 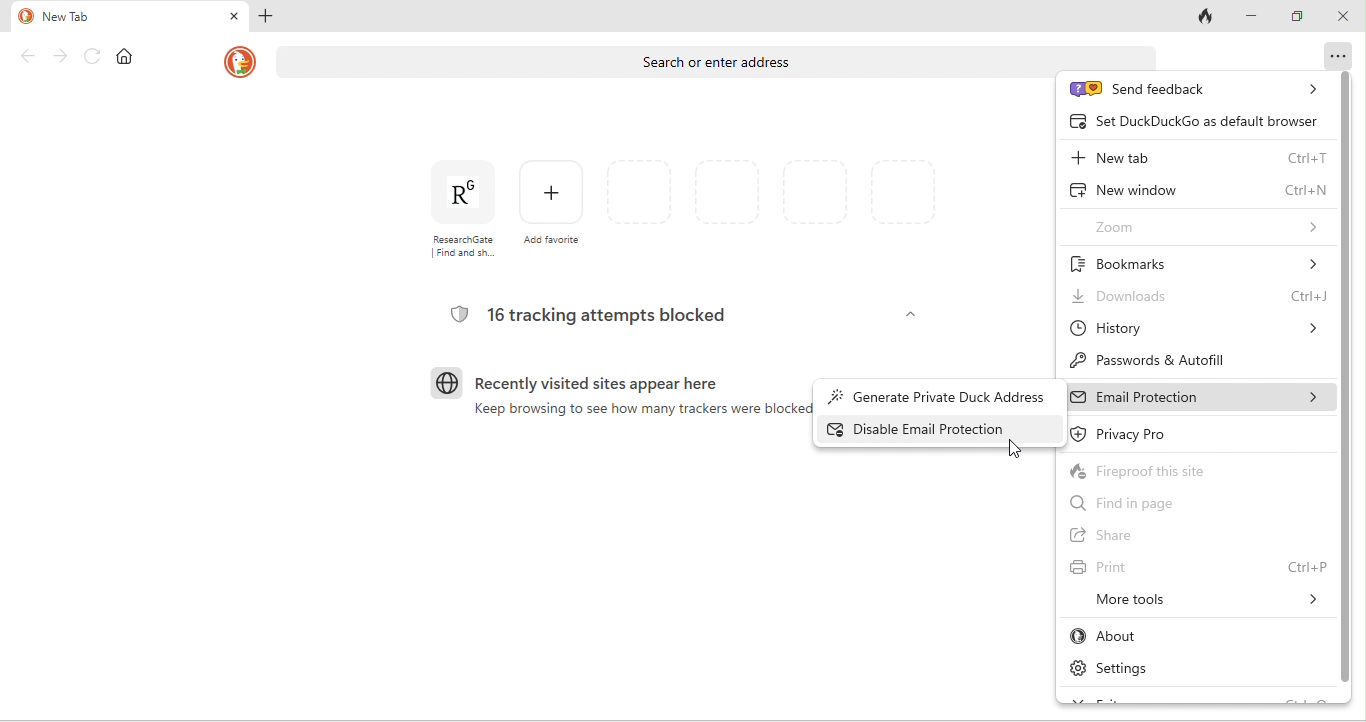 What do you see at coordinates (1208, 224) in the screenshot?
I see `zoom` at bounding box center [1208, 224].